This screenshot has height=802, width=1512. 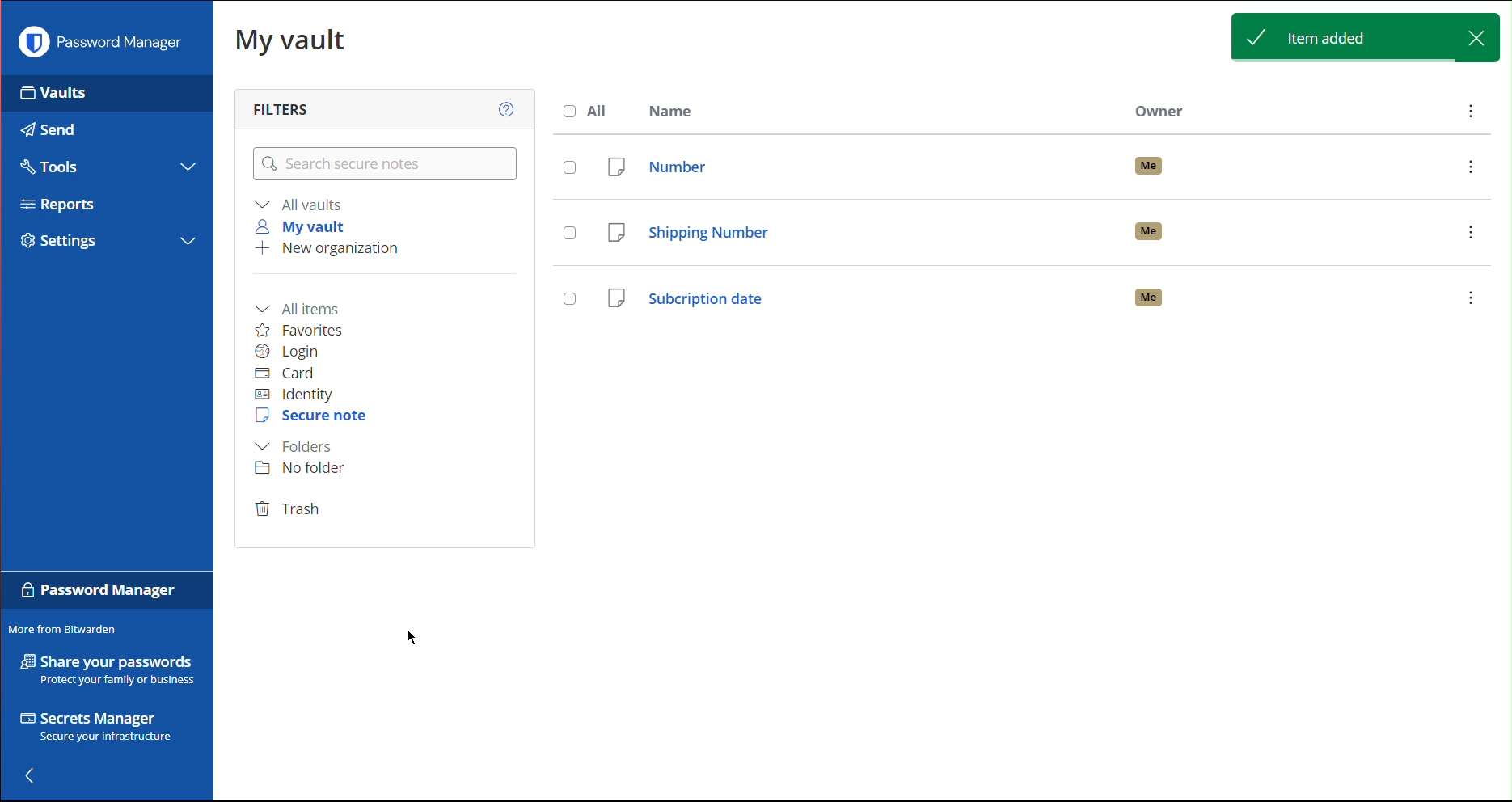 What do you see at coordinates (386, 165) in the screenshot?
I see `Search Bar` at bounding box center [386, 165].